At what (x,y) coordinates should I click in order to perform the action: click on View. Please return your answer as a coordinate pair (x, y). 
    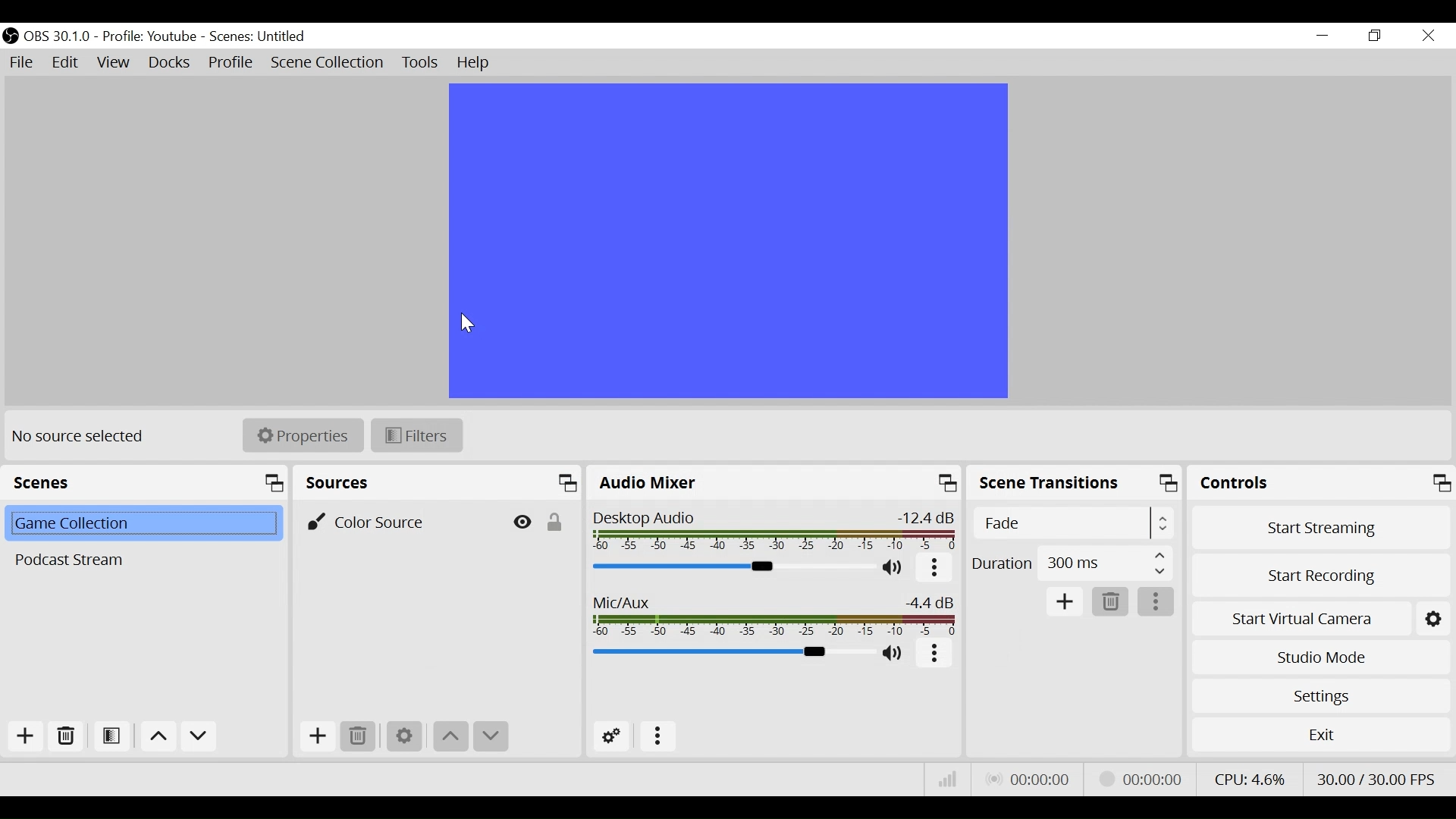
    Looking at the image, I should click on (113, 63).